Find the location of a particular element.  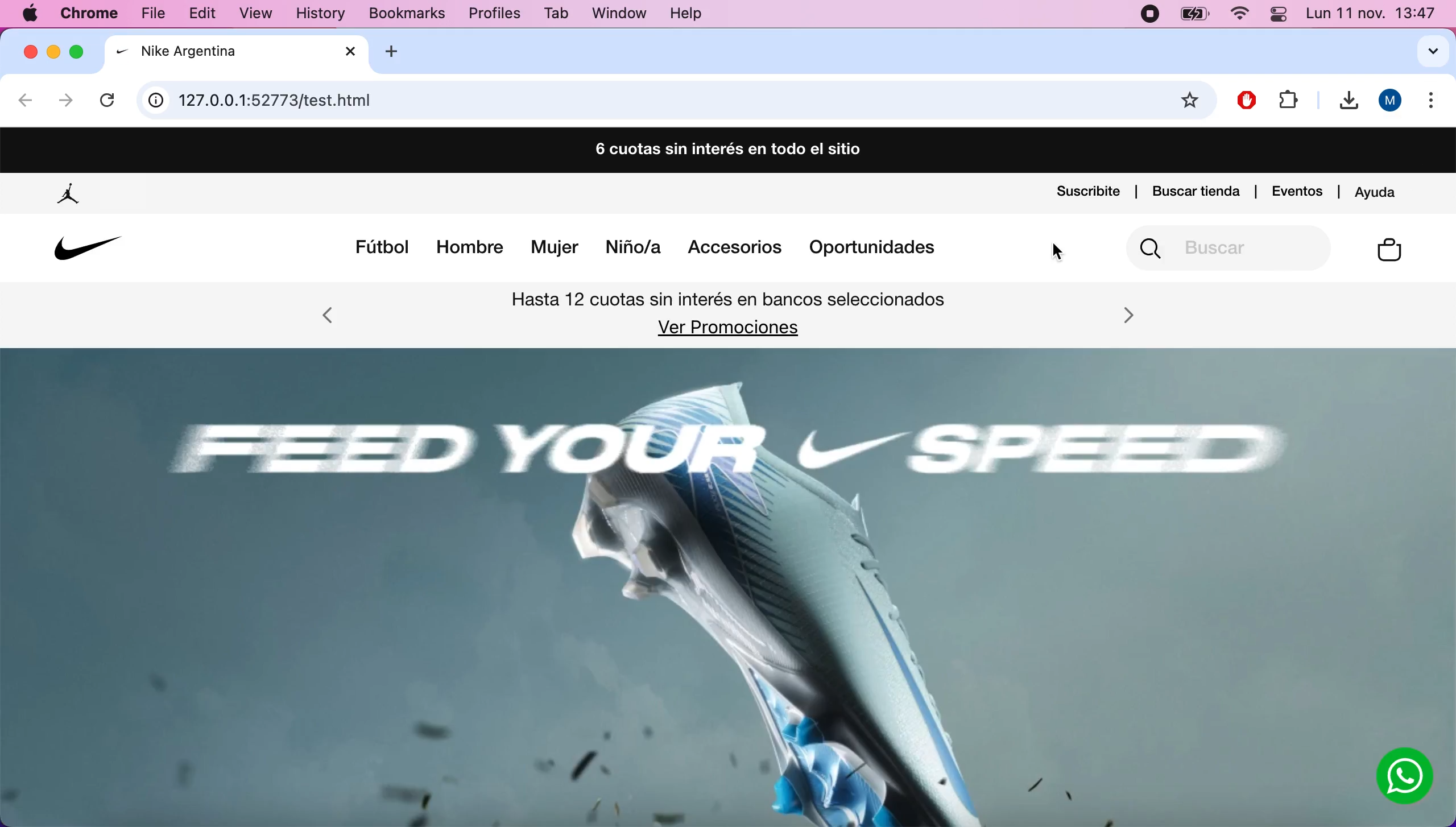

Whats App Chat is located at coordinates (1405, 778).